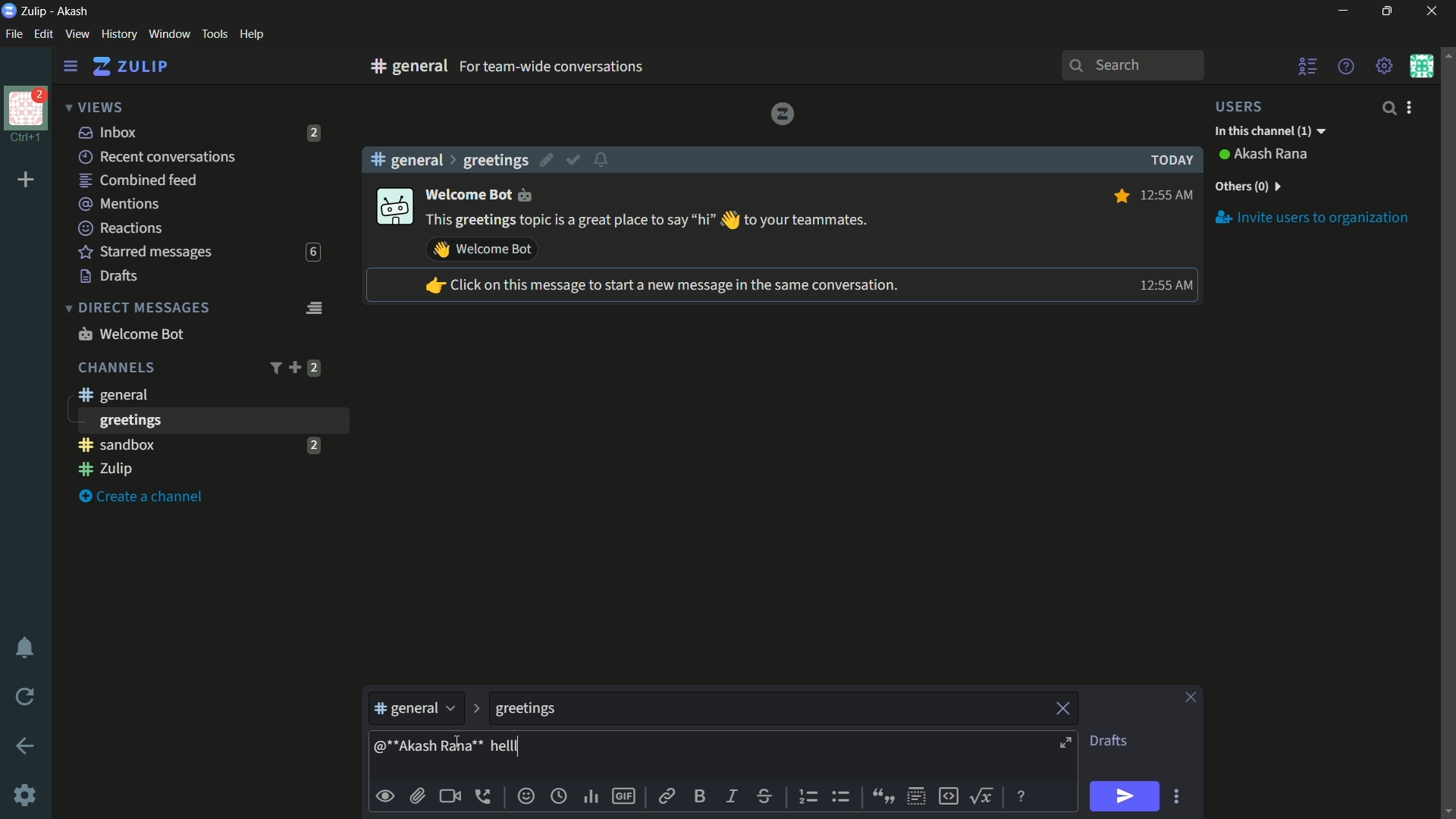 Image resolution: width=1456 pixels, height=819 pixels. I want to click on direct messages dropdown, so click(136, 309).